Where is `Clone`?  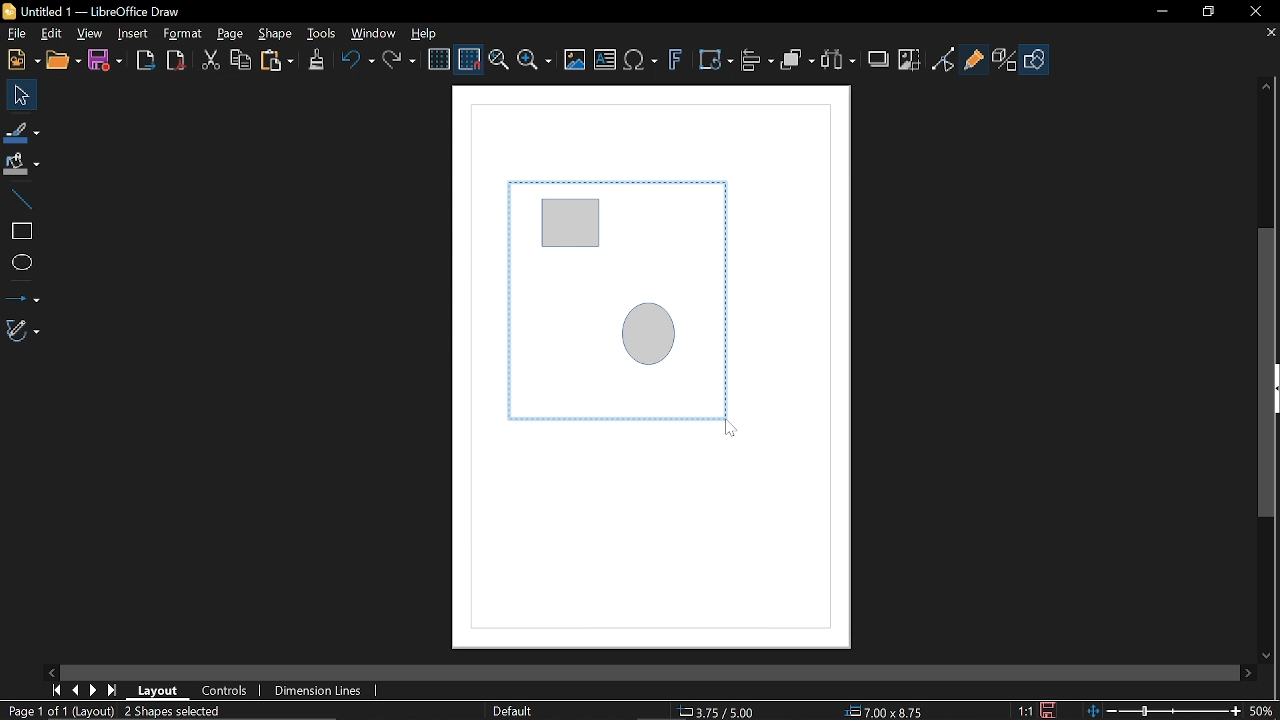
Clone is located at coordinates (318, 61).